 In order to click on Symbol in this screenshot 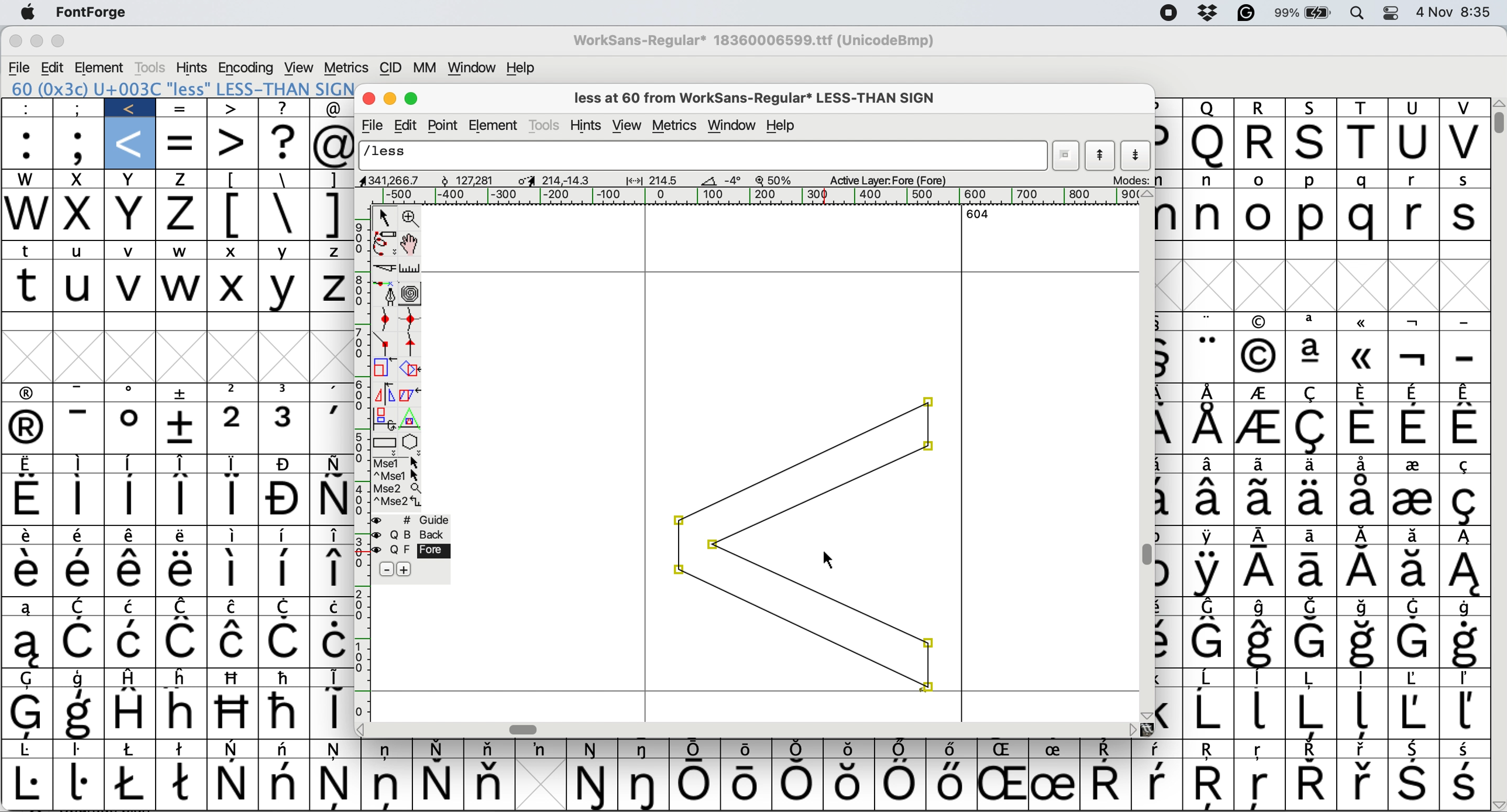, I will do `click(1363, 607)`.